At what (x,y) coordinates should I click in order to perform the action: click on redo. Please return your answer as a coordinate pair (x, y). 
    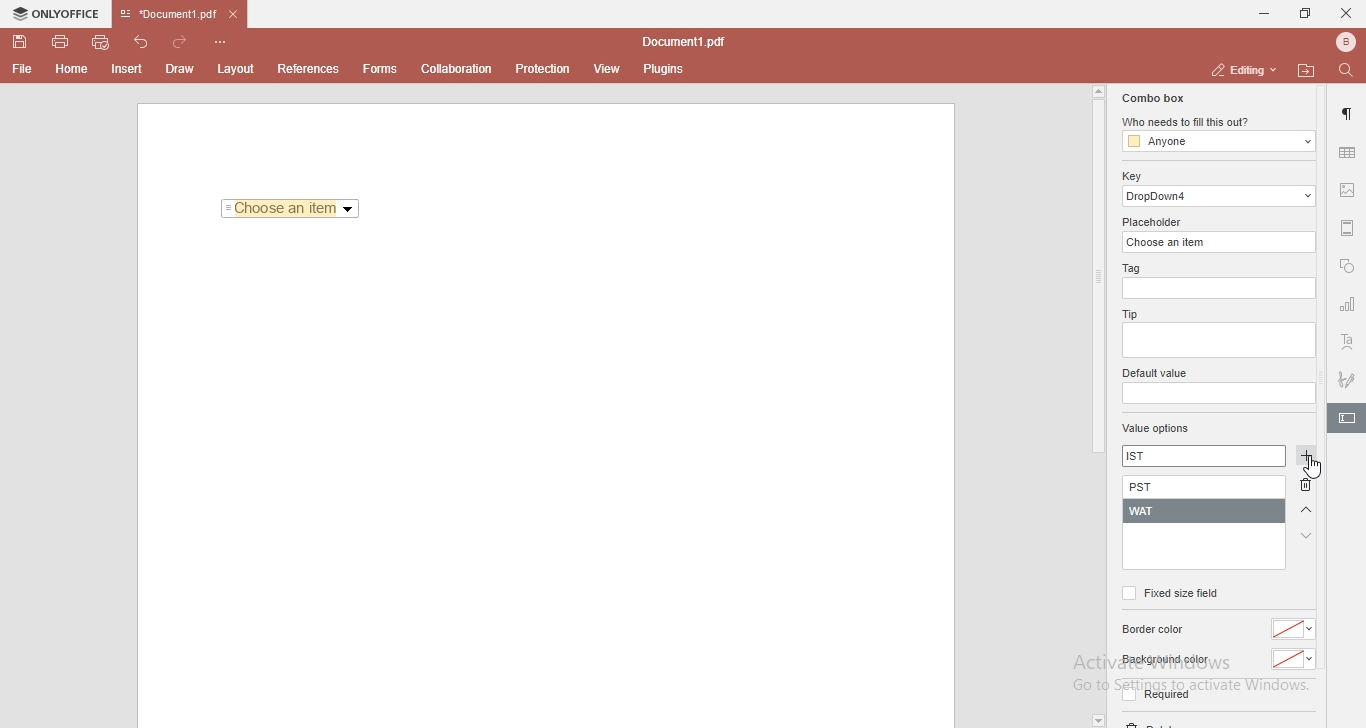
    Looking at the image, I should click on (184, 38).